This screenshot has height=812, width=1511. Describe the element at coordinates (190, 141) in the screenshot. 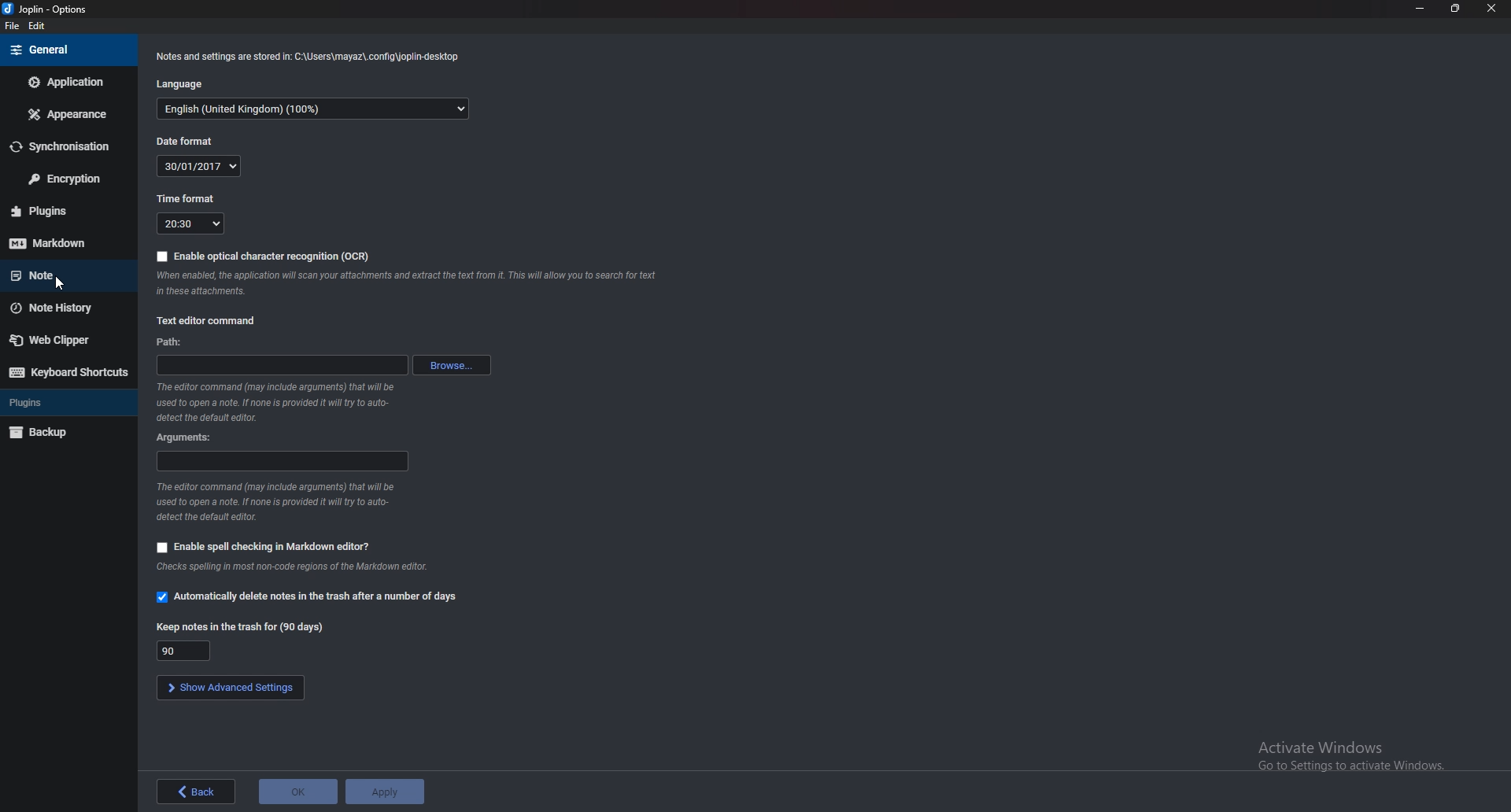

I see `Date format` at that location.